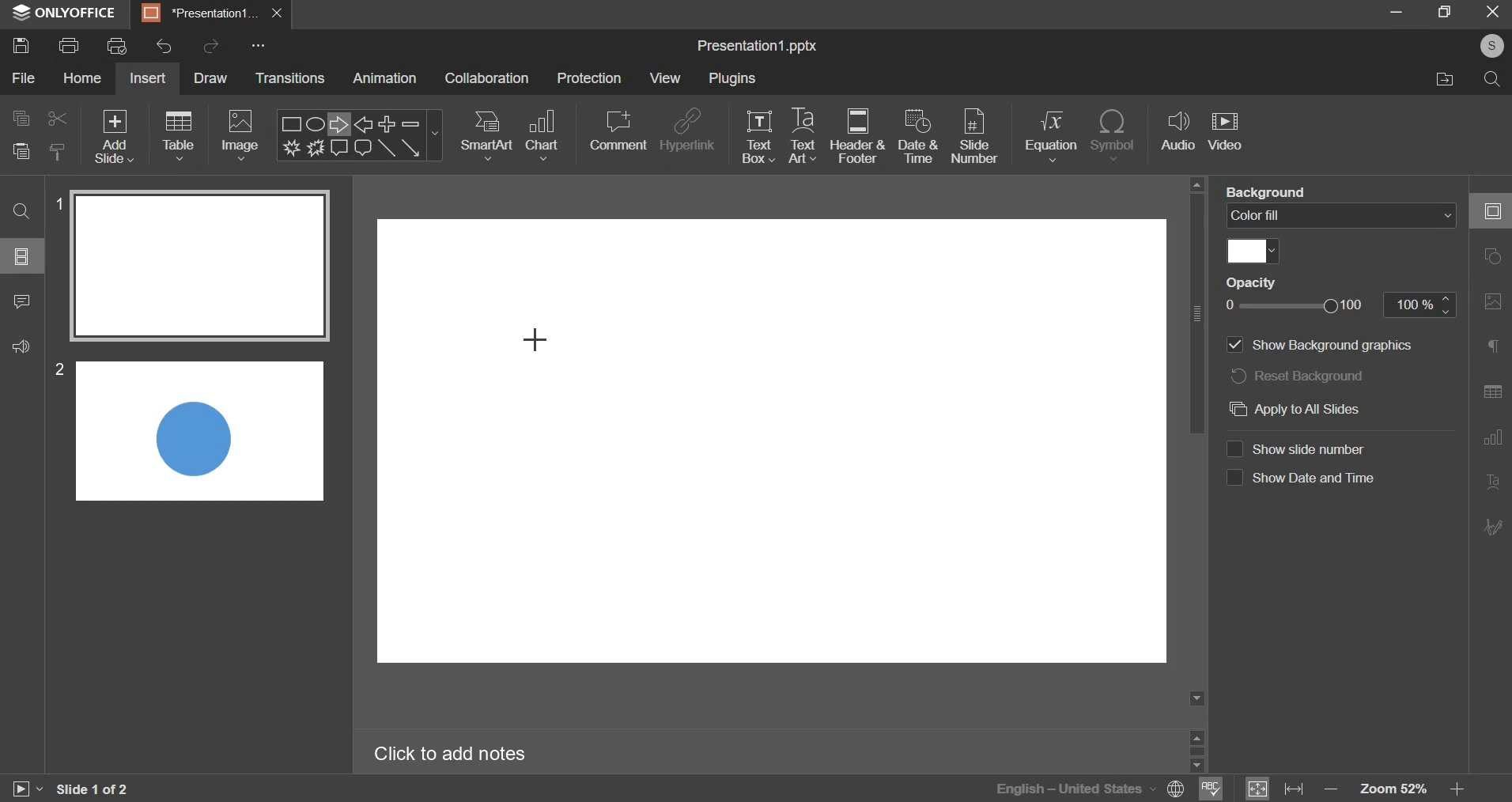 This screenshot has height=802, width=1512. Describe the element at coordinates (436, 133) in the screenshot. I see `more shapes` at that location.